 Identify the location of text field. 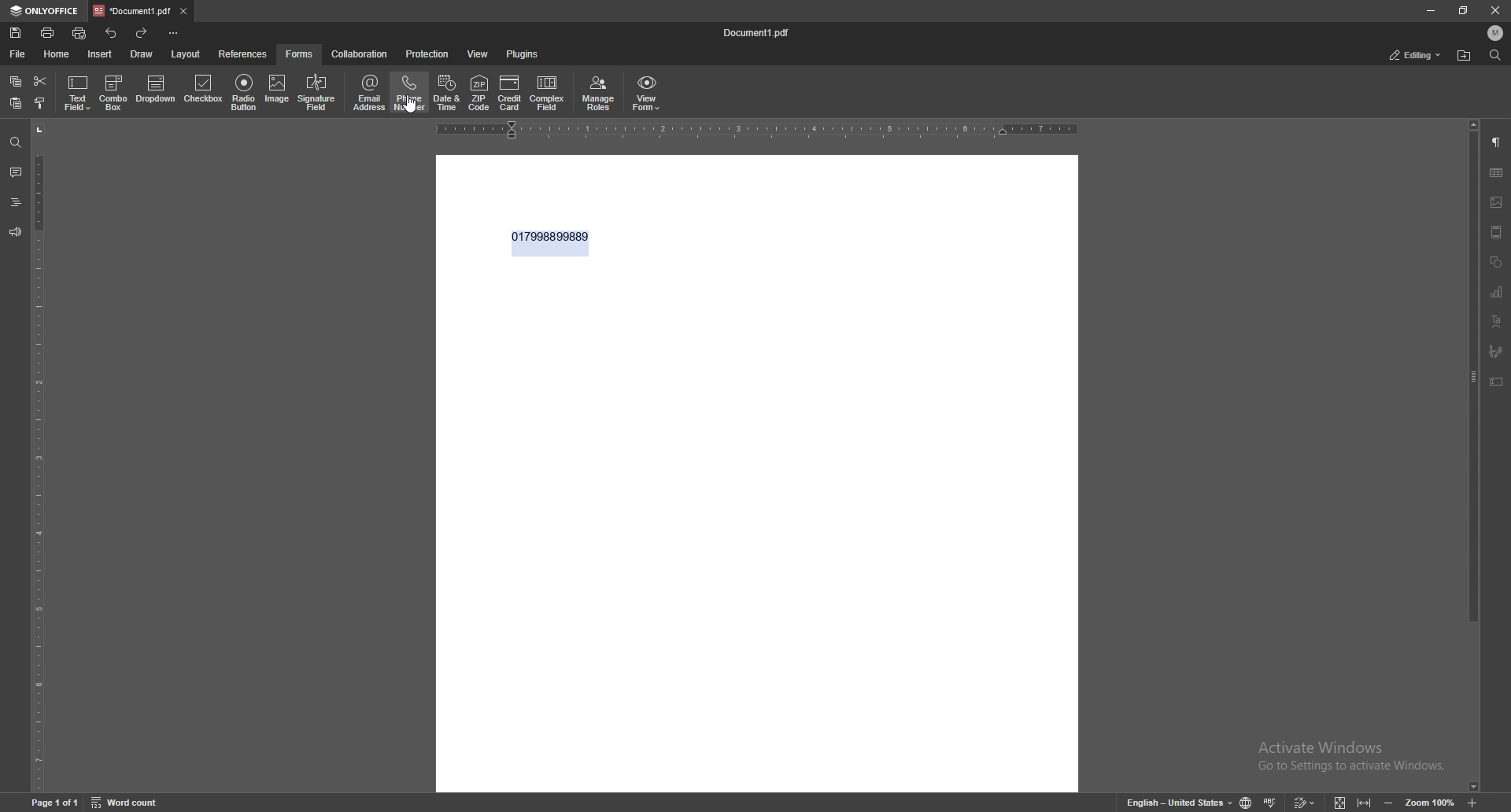
(78, 94).